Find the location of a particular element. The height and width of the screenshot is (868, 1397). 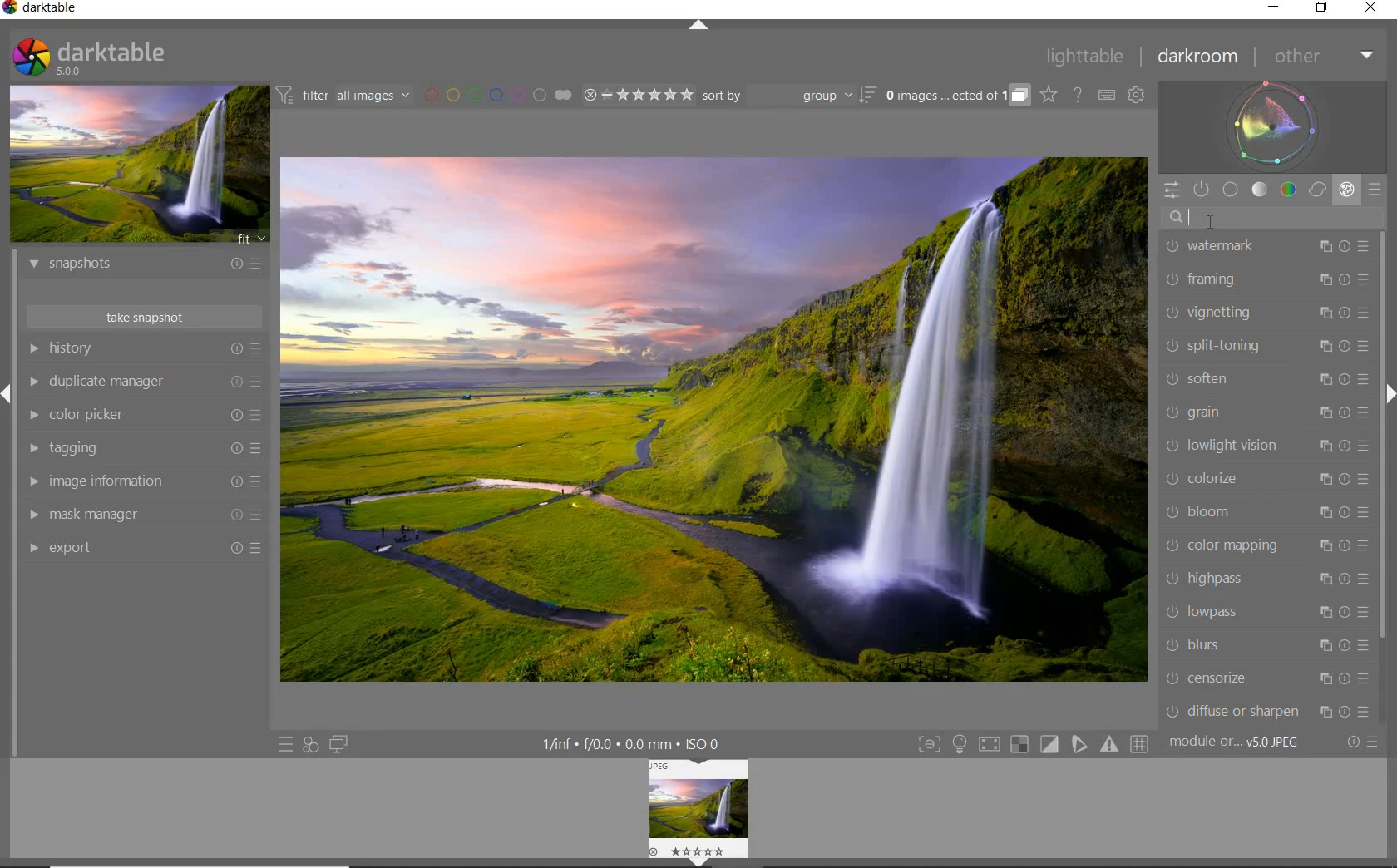

effect is located at coordinates (1345, 189).